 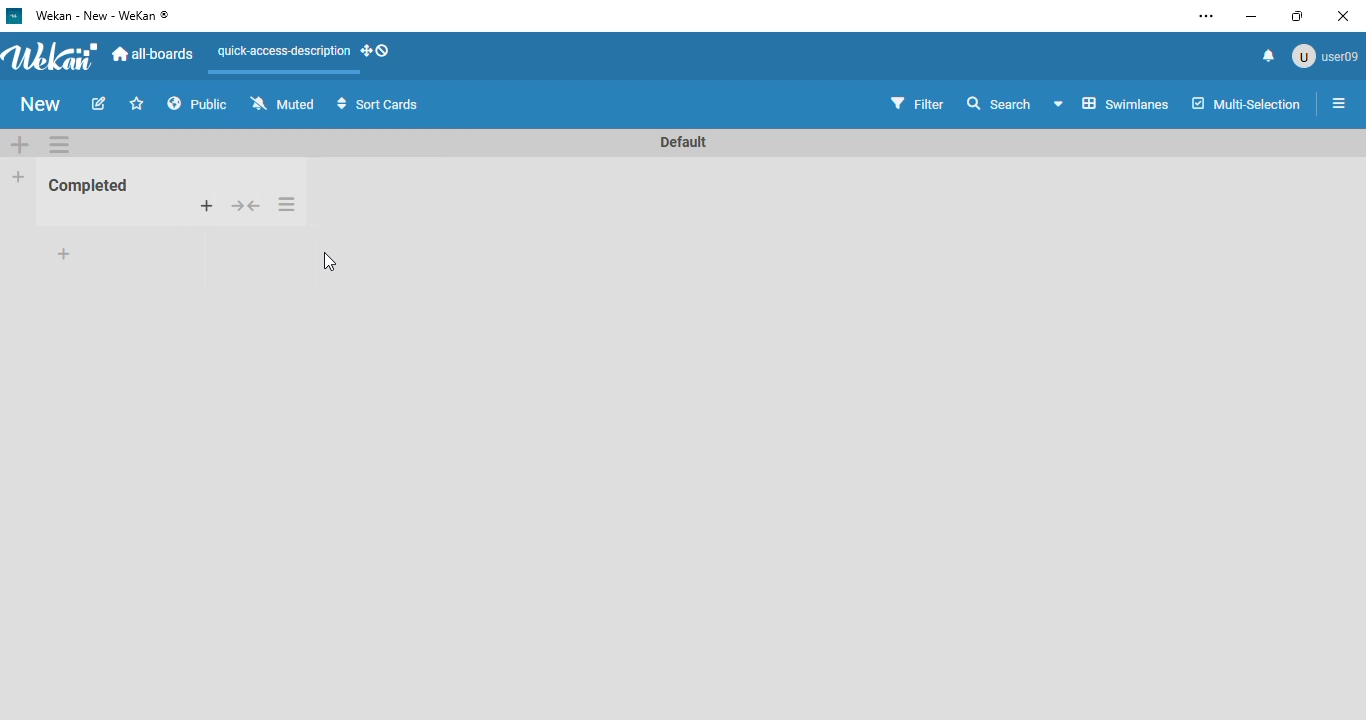 What do you see at coordinates (137, 104) in the screenshot?
I see `click to star this board` at bounding box center [137, 104].